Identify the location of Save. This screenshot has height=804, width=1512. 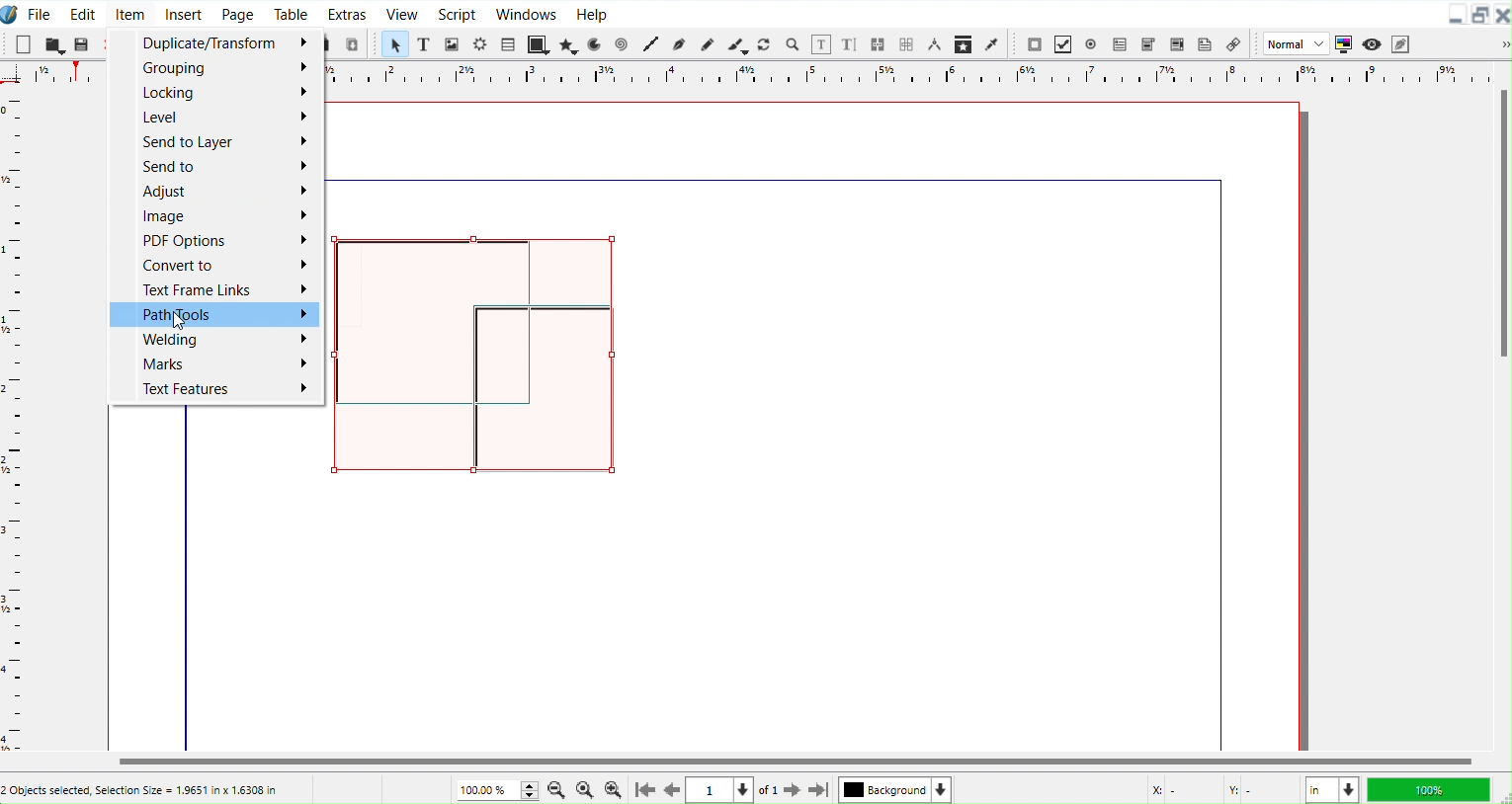
(82, 42).